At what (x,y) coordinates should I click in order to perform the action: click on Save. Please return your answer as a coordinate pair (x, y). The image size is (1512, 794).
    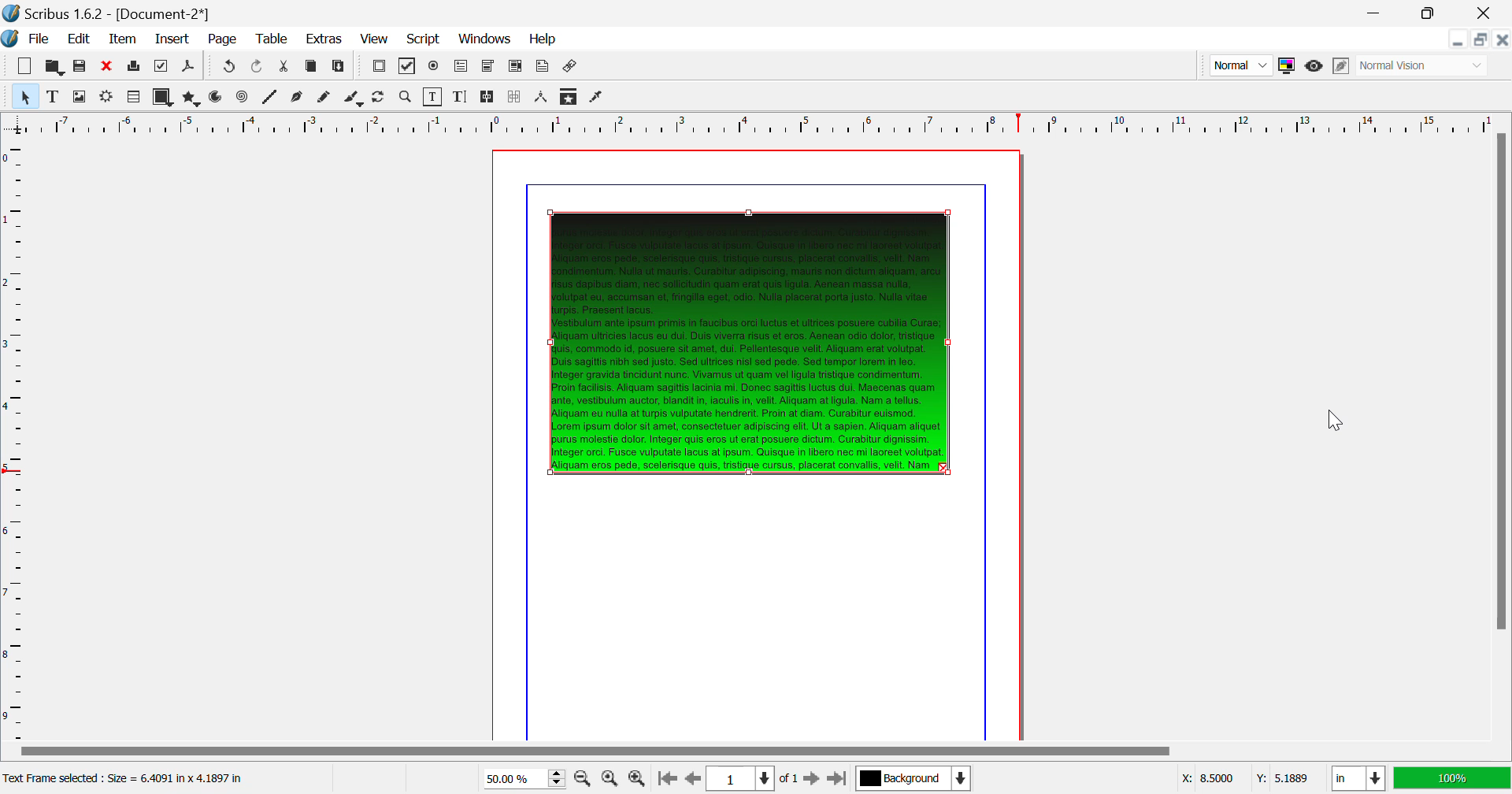
    Looking at the image, I should click on (80, 66).